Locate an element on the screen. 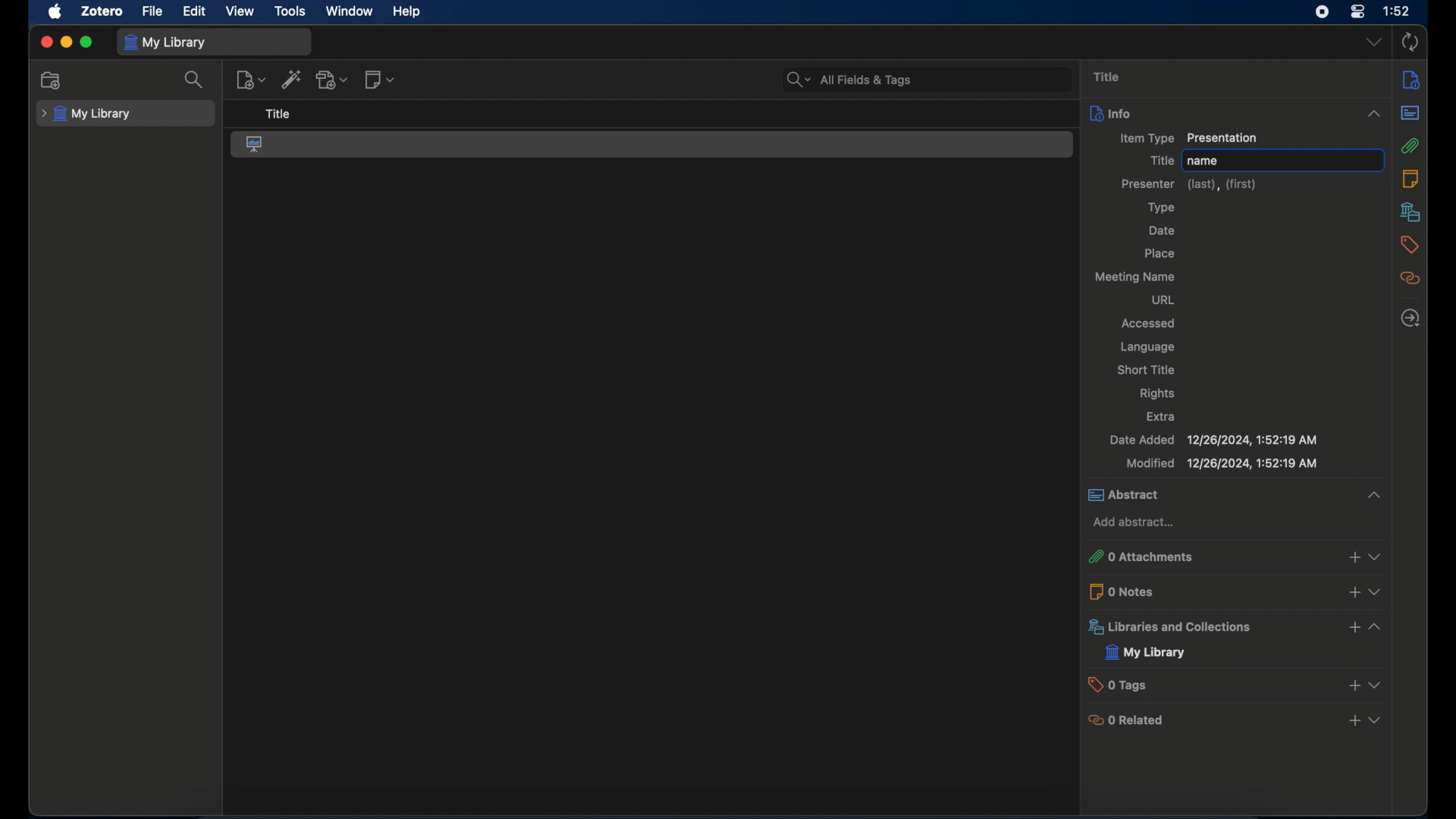 This screenshot has width=1456, height=819. date added 12/26/2024, 1:52:19 AM is located at coordinates (1212, 440).